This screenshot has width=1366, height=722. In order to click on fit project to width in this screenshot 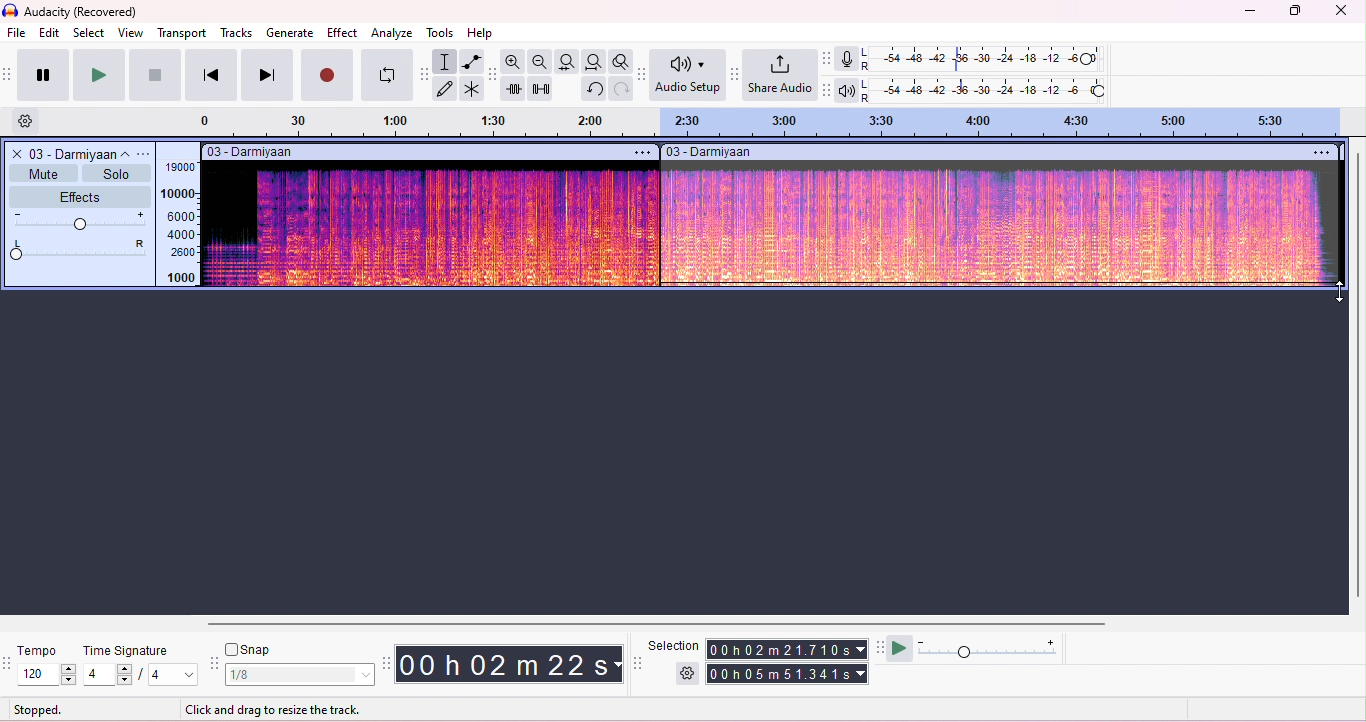, I will do `click(593, 61)`.